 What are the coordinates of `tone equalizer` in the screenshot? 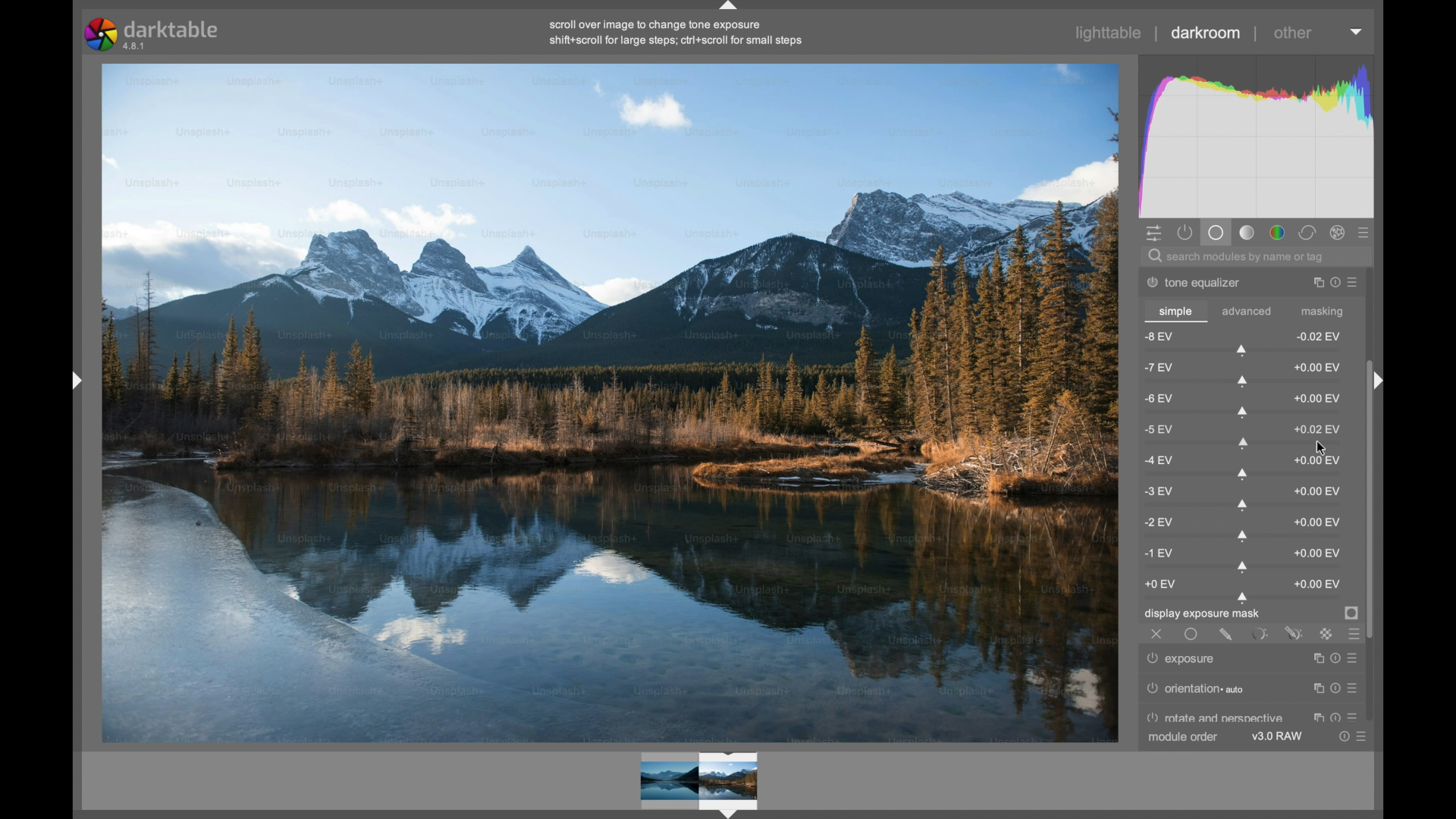 It's located at (1208, 281).